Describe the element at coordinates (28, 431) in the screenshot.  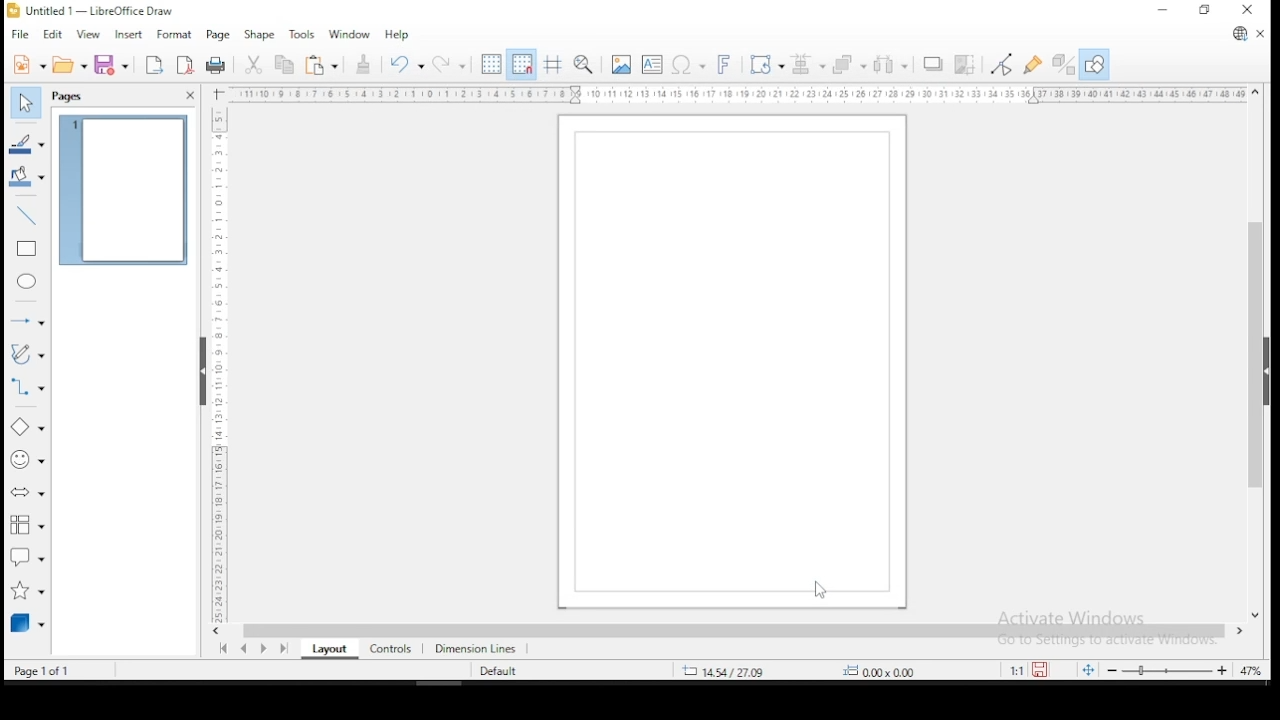
I see `simple shapes` at that location.